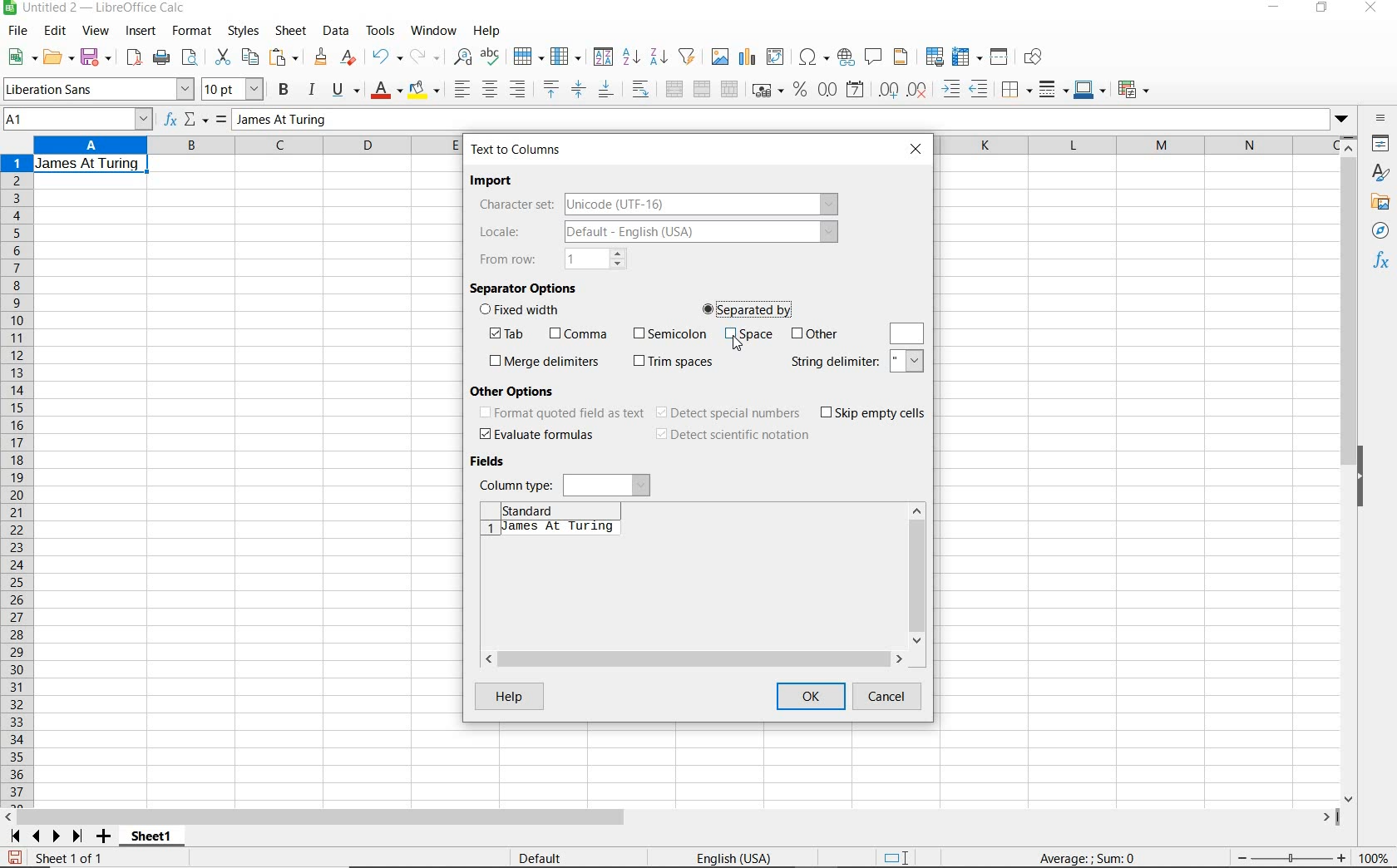 The width and height of the screenshot is (1397, 868). What do you see at coordinates (1090, 89) in the screenshot?
I see `border color` at bounding box center [1090, 89].